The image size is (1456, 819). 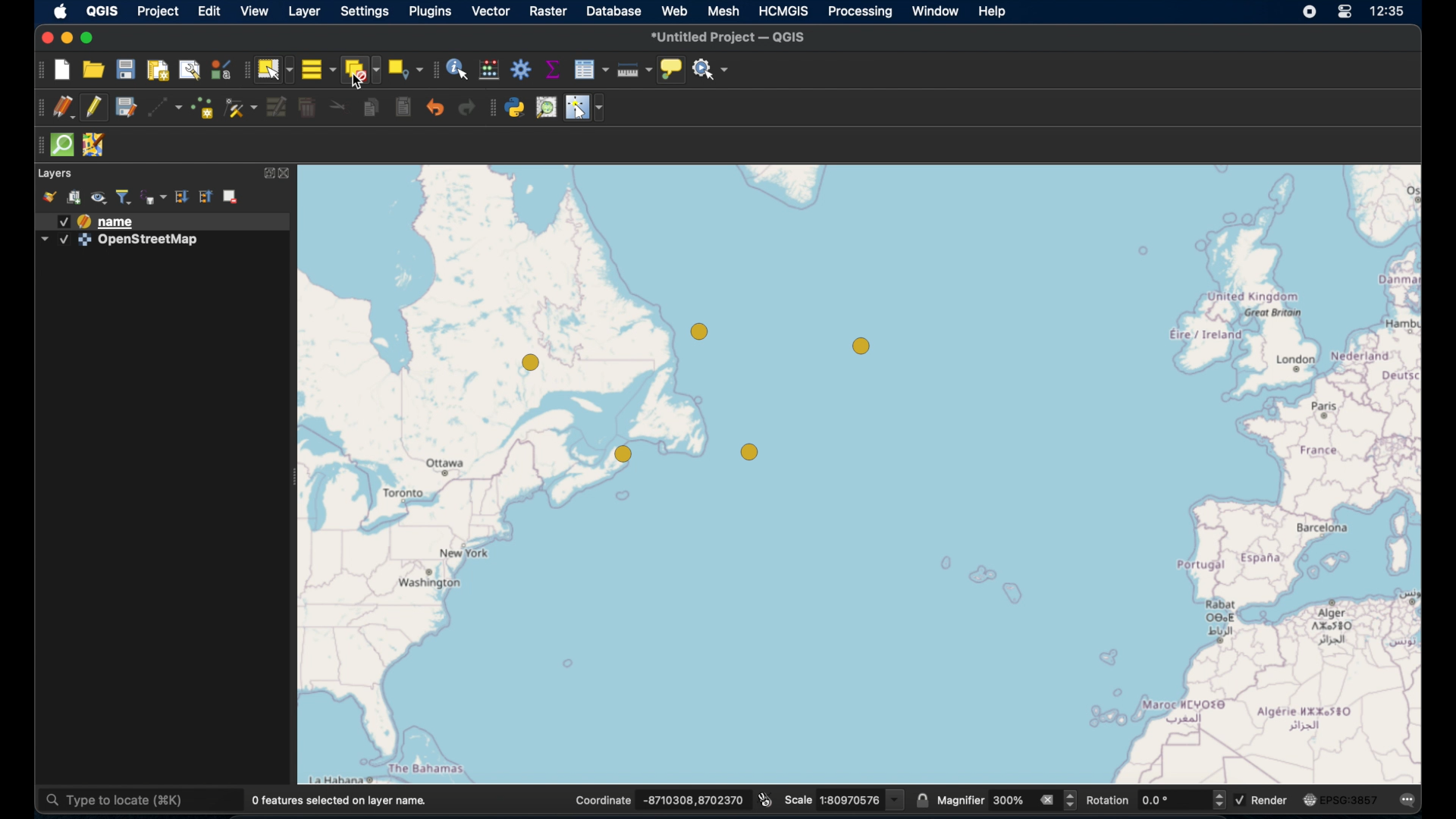 I want to click on cut features, so click(x=339, y=108).